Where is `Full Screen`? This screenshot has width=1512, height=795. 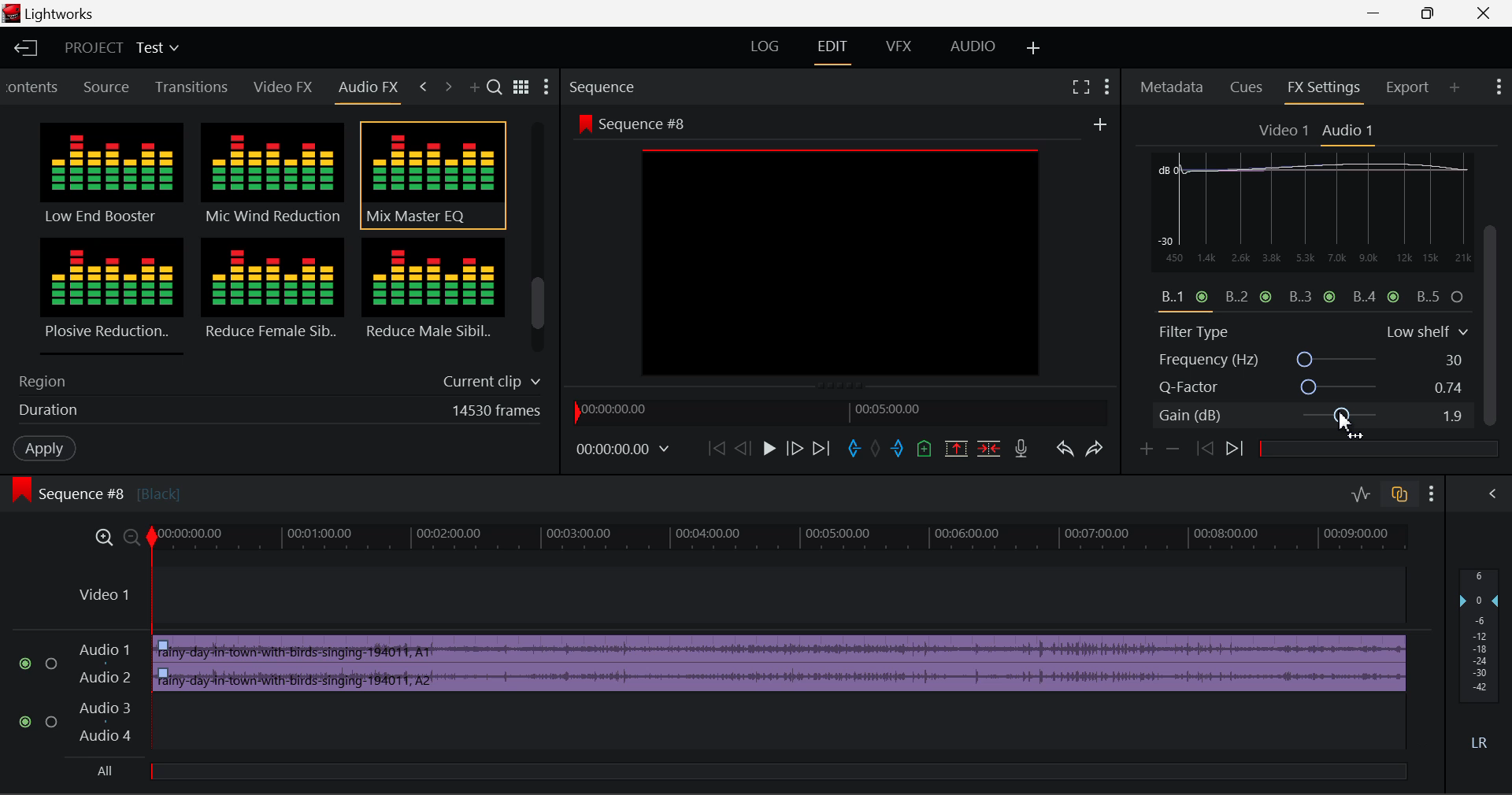
Full Screen is located at coordinates (1080, 87).